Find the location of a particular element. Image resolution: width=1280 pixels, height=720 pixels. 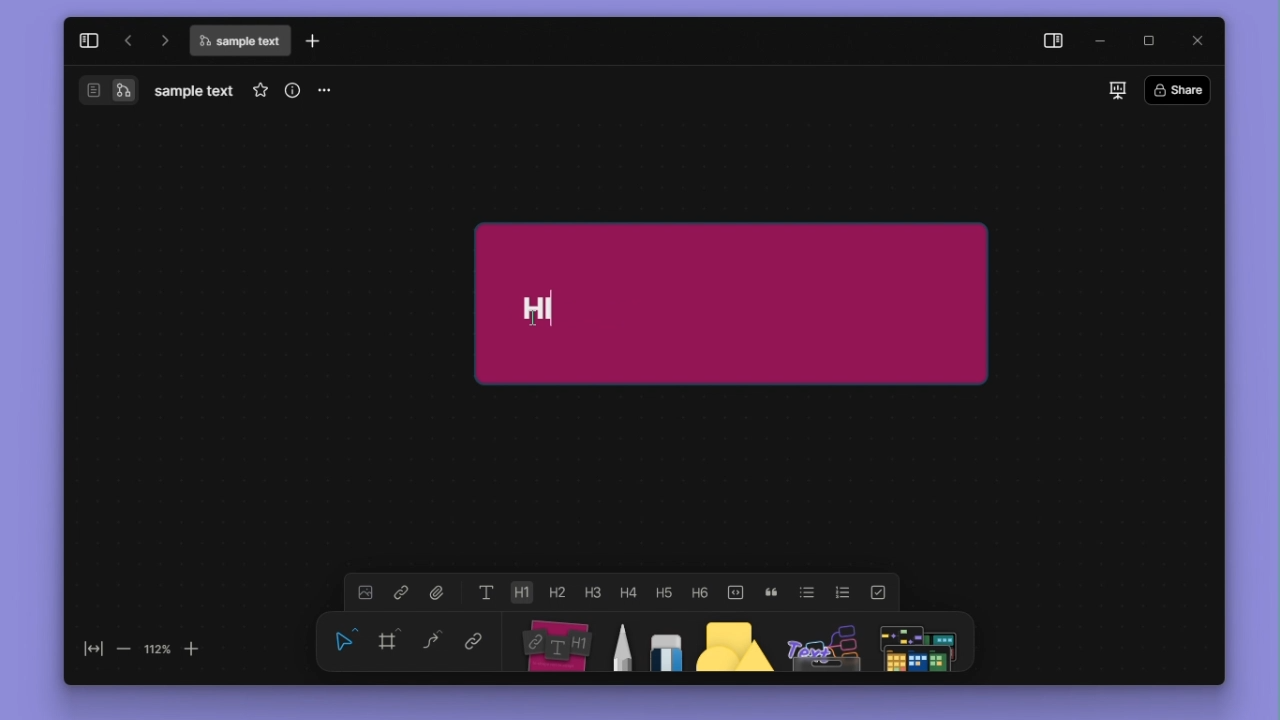

zoom in is located at coordinates (191, 650).